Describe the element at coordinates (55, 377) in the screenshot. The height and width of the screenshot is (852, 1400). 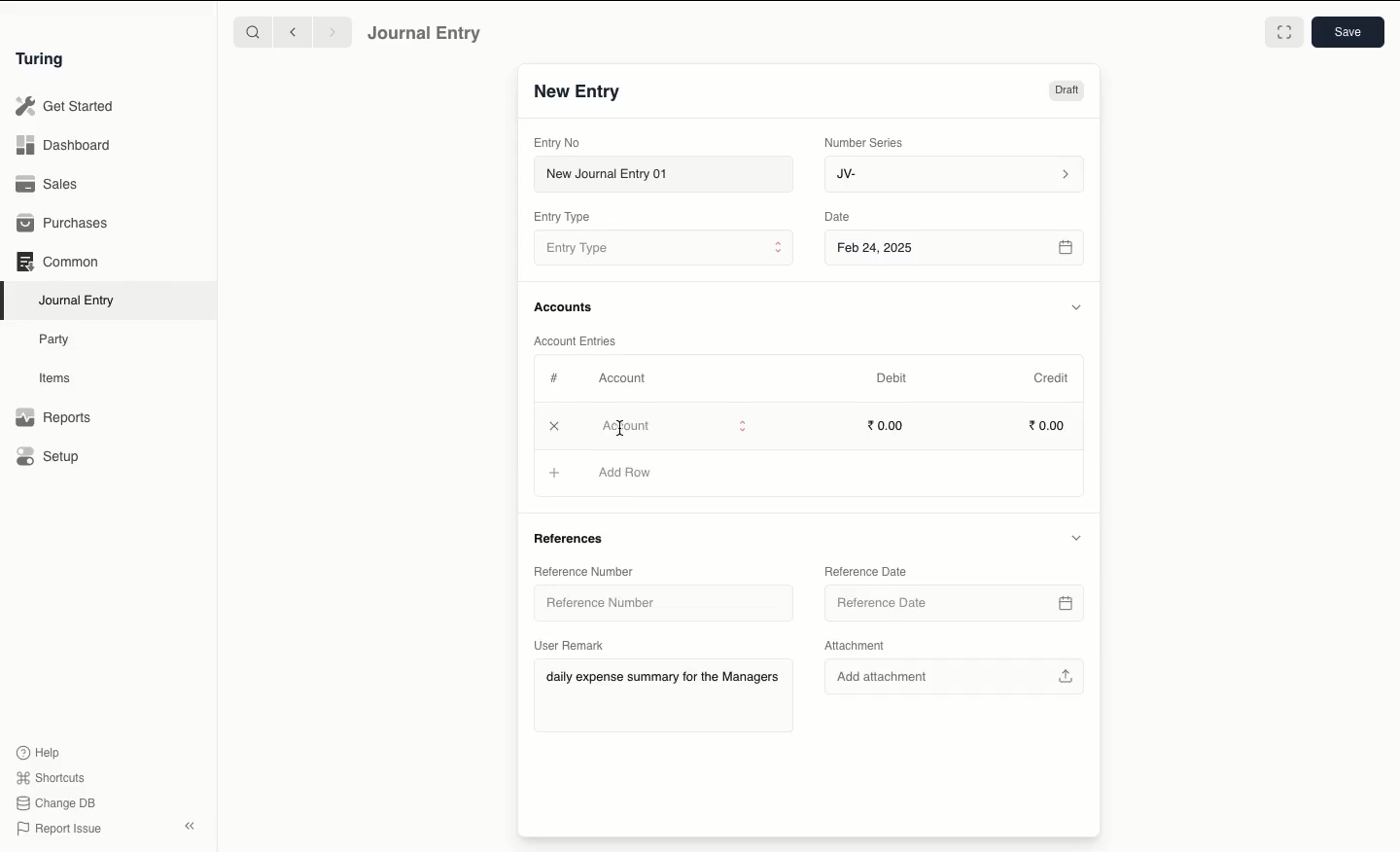
I see `Items` at that location.